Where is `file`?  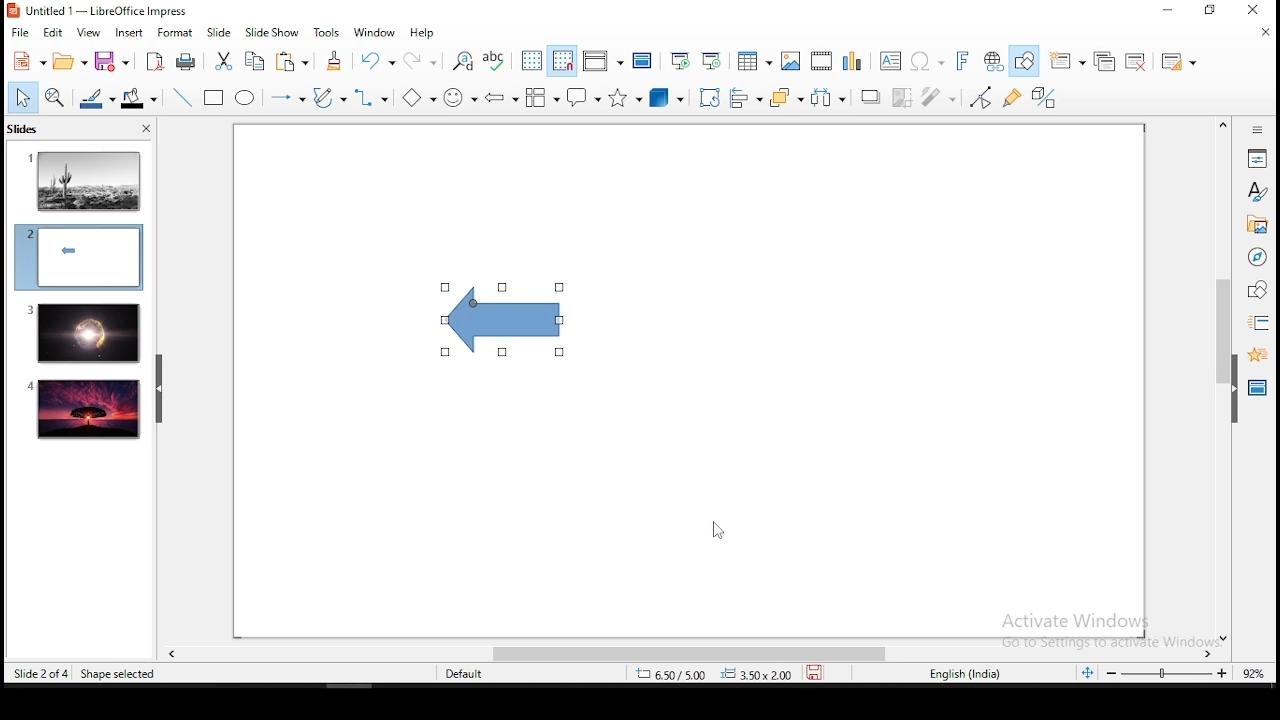
file is located at coordinates (21, 33).